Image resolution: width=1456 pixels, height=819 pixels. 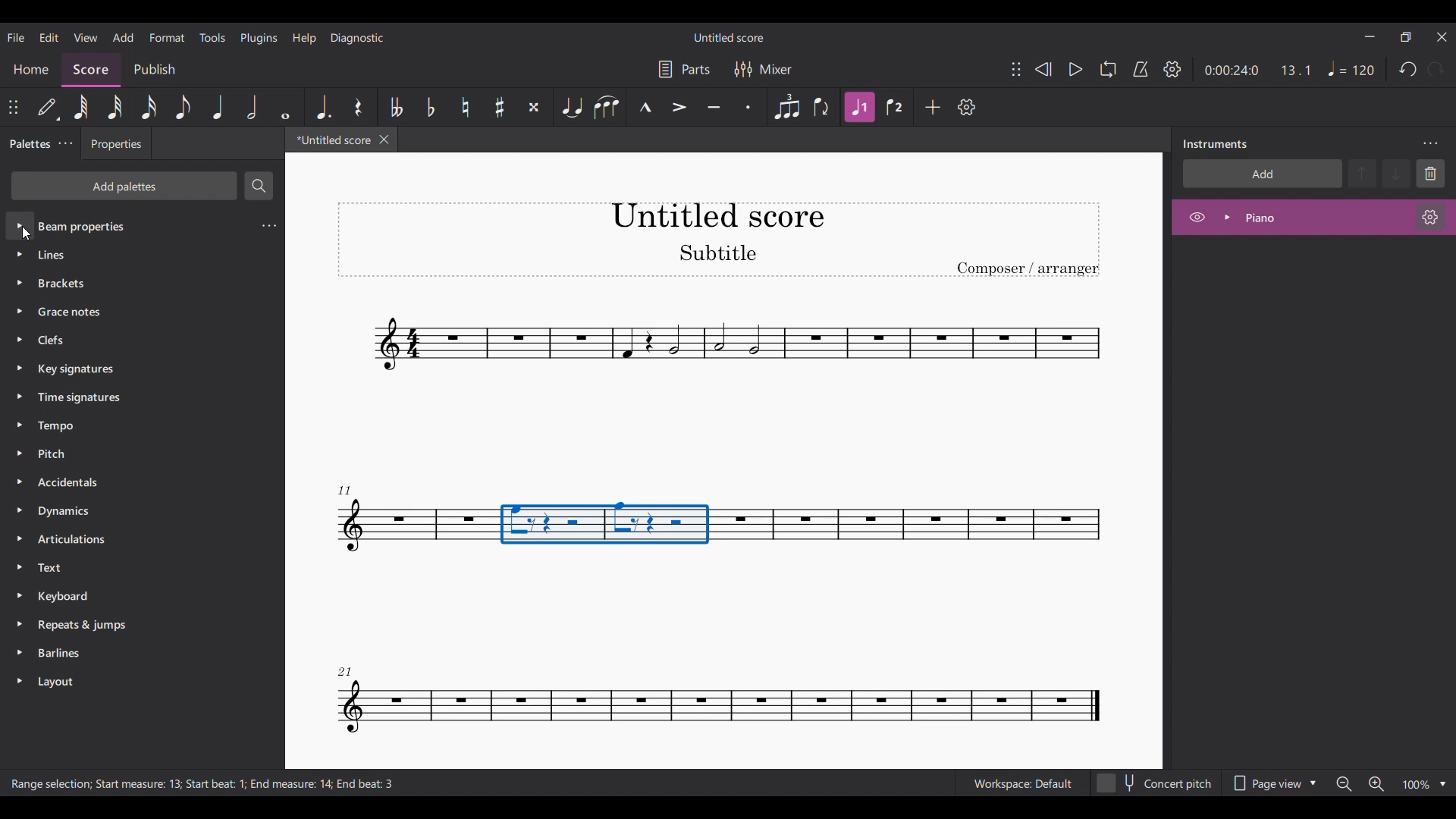 What do you see at coordinates (1021, 782) in the screenshot?
I see `Workspace default` at bounding box center [1021, 782].